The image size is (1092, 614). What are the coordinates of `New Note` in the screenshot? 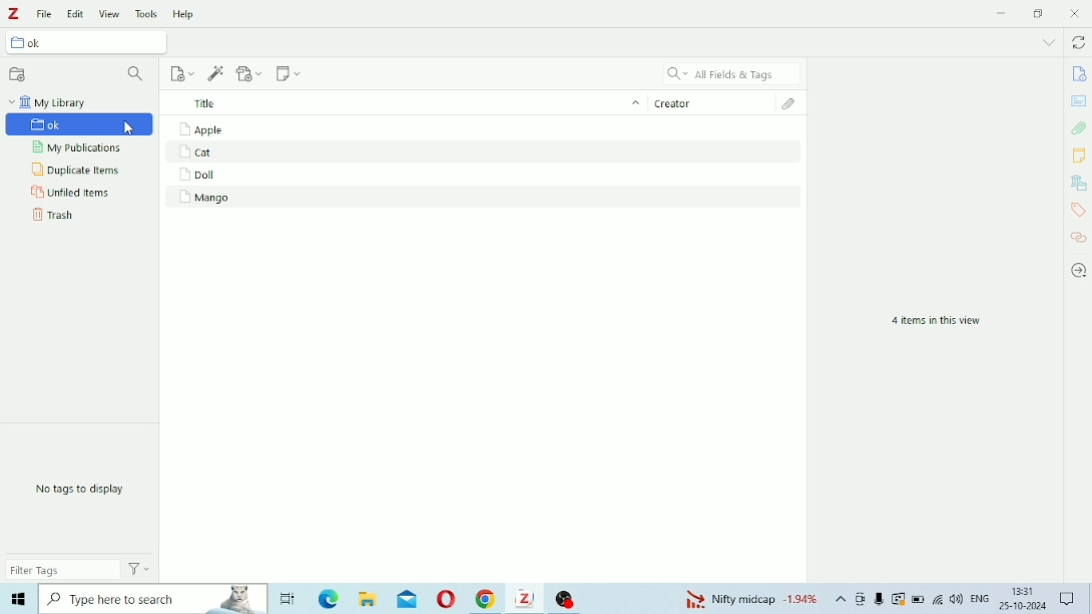 It's located at (289, 73).